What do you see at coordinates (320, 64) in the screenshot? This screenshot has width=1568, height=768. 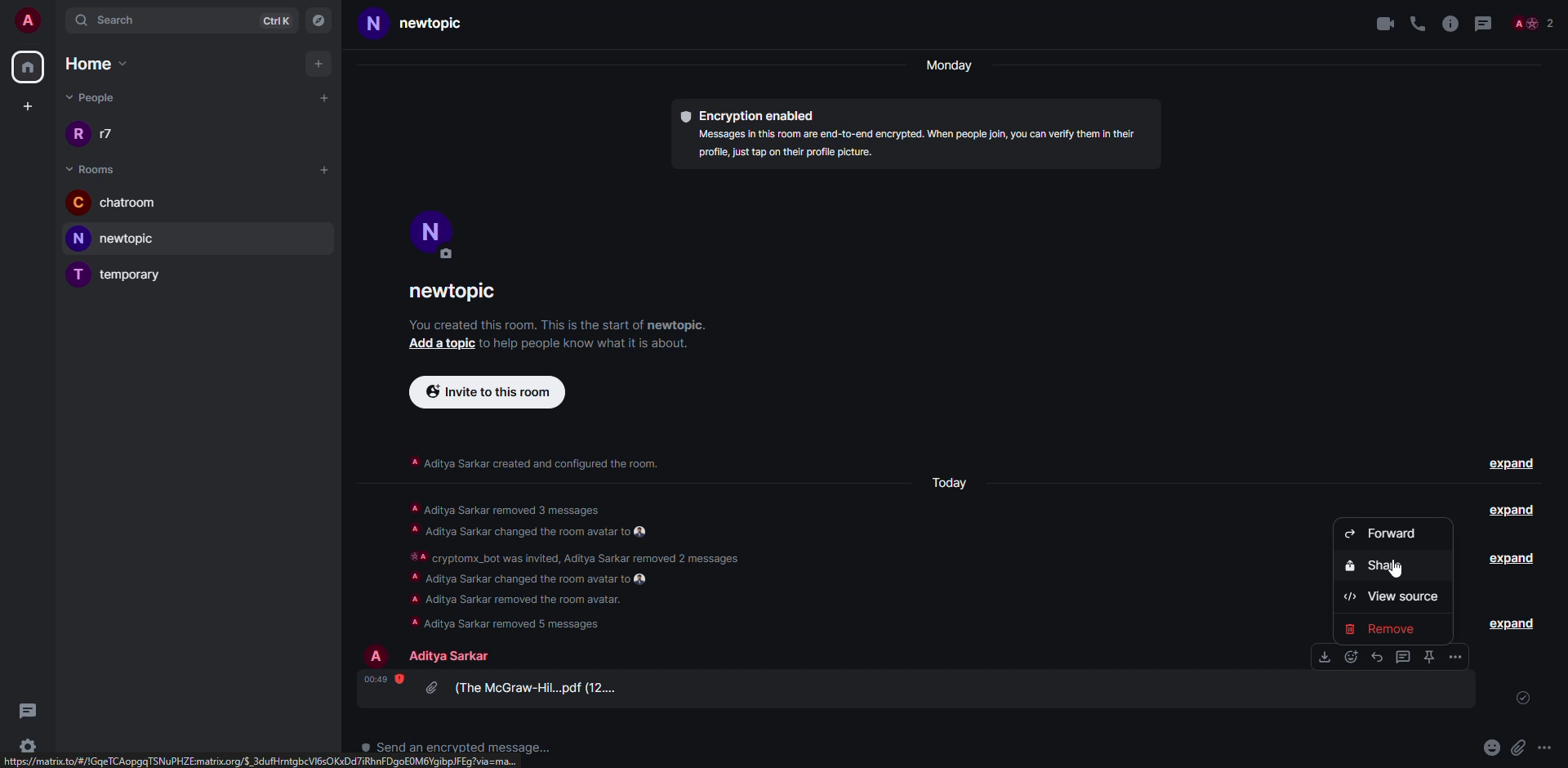 I see `add` at bounding box center [320, 64].